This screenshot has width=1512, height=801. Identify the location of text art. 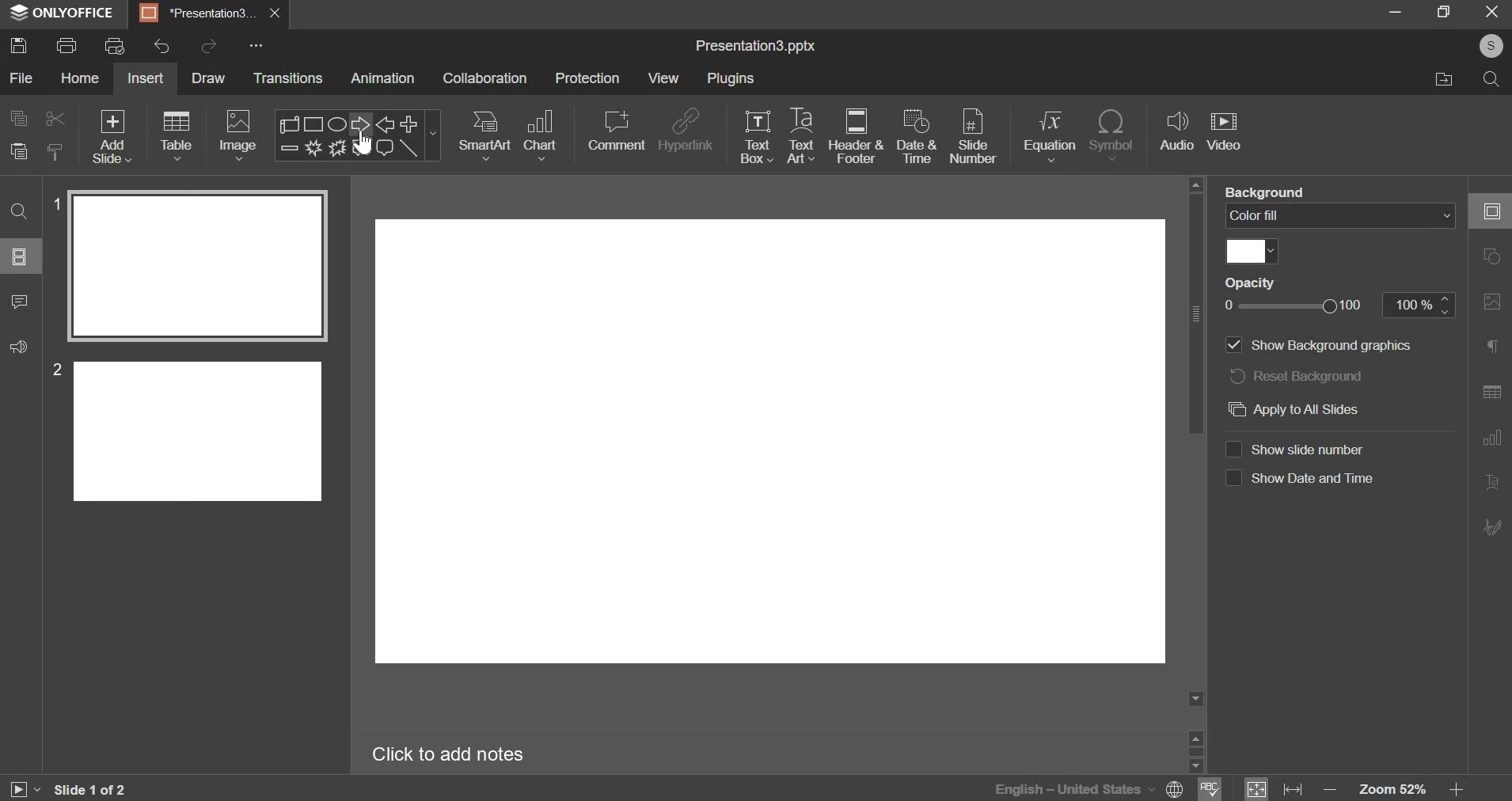
(800, 135).